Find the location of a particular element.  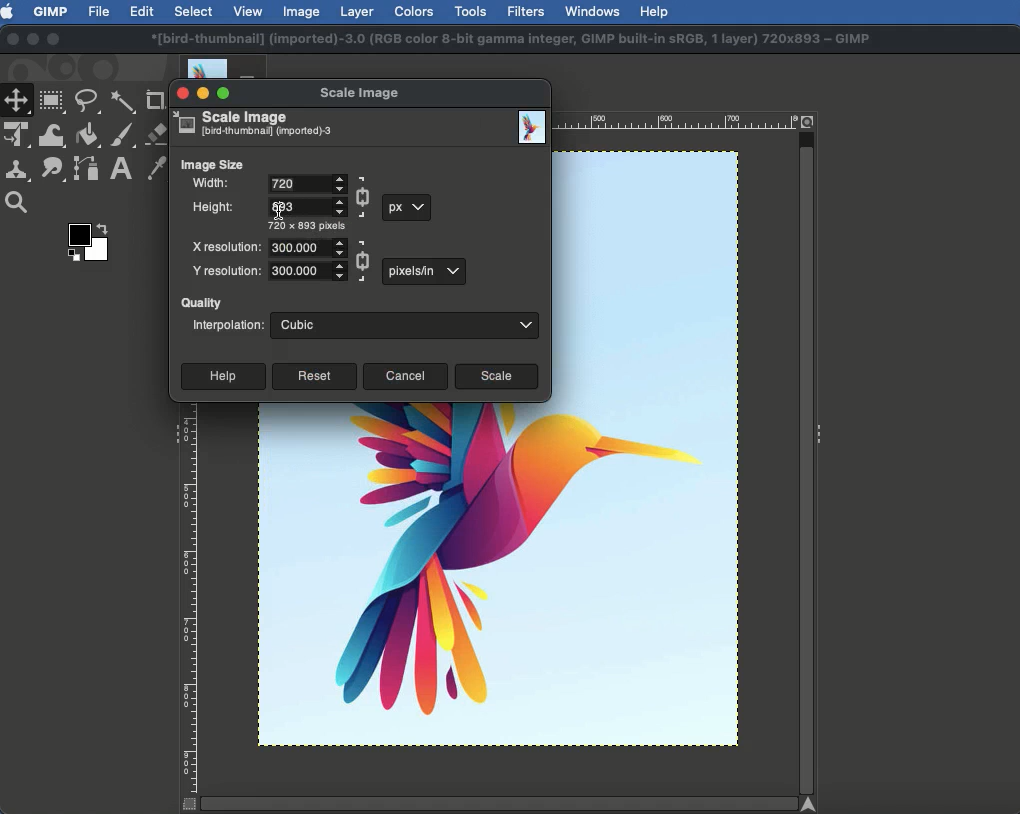

Text is located at coordinates (118, 170).